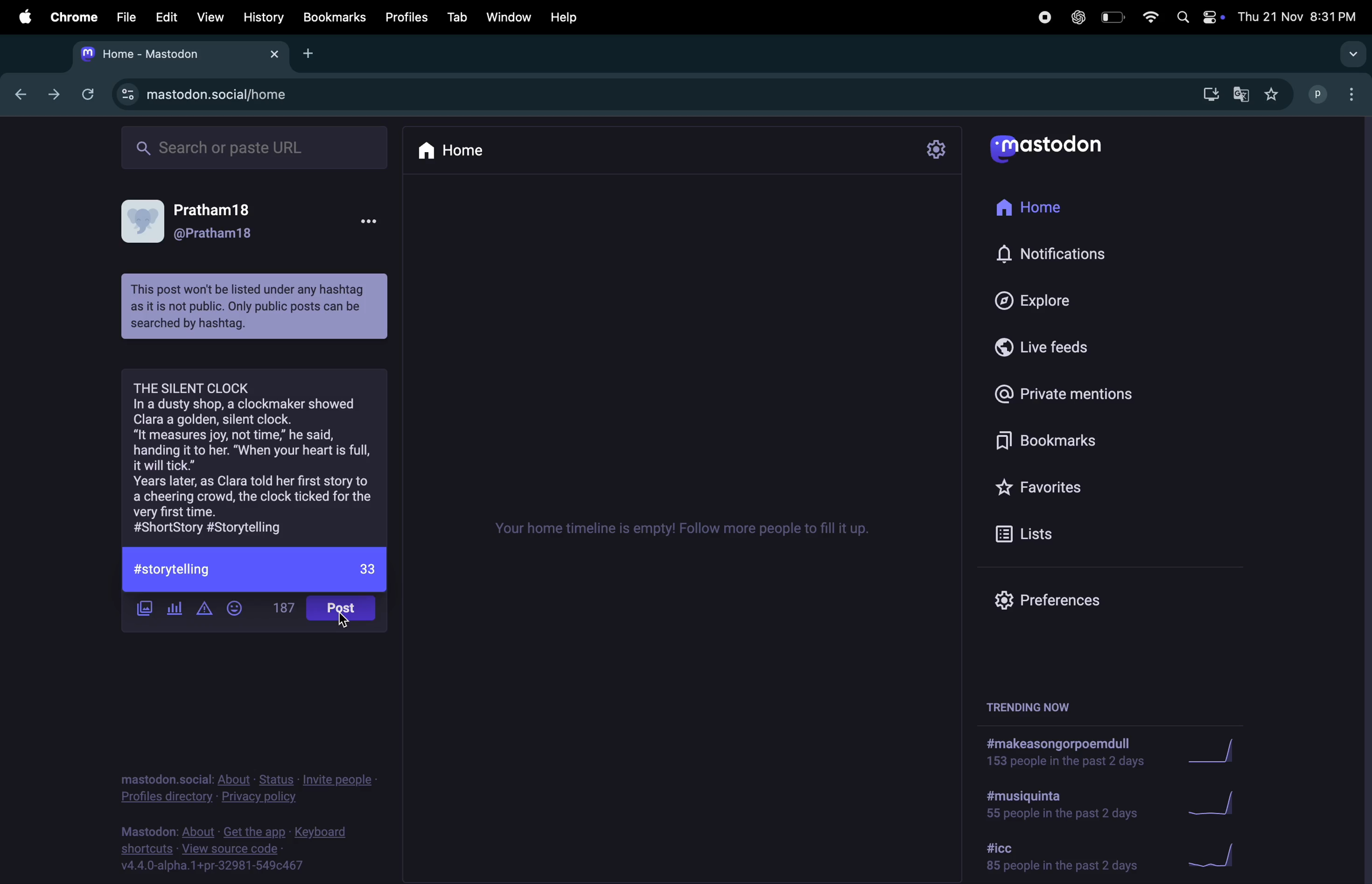  Describe the element at coordinates (1152, 20) in the screenshot. I see `wifi` at that location.